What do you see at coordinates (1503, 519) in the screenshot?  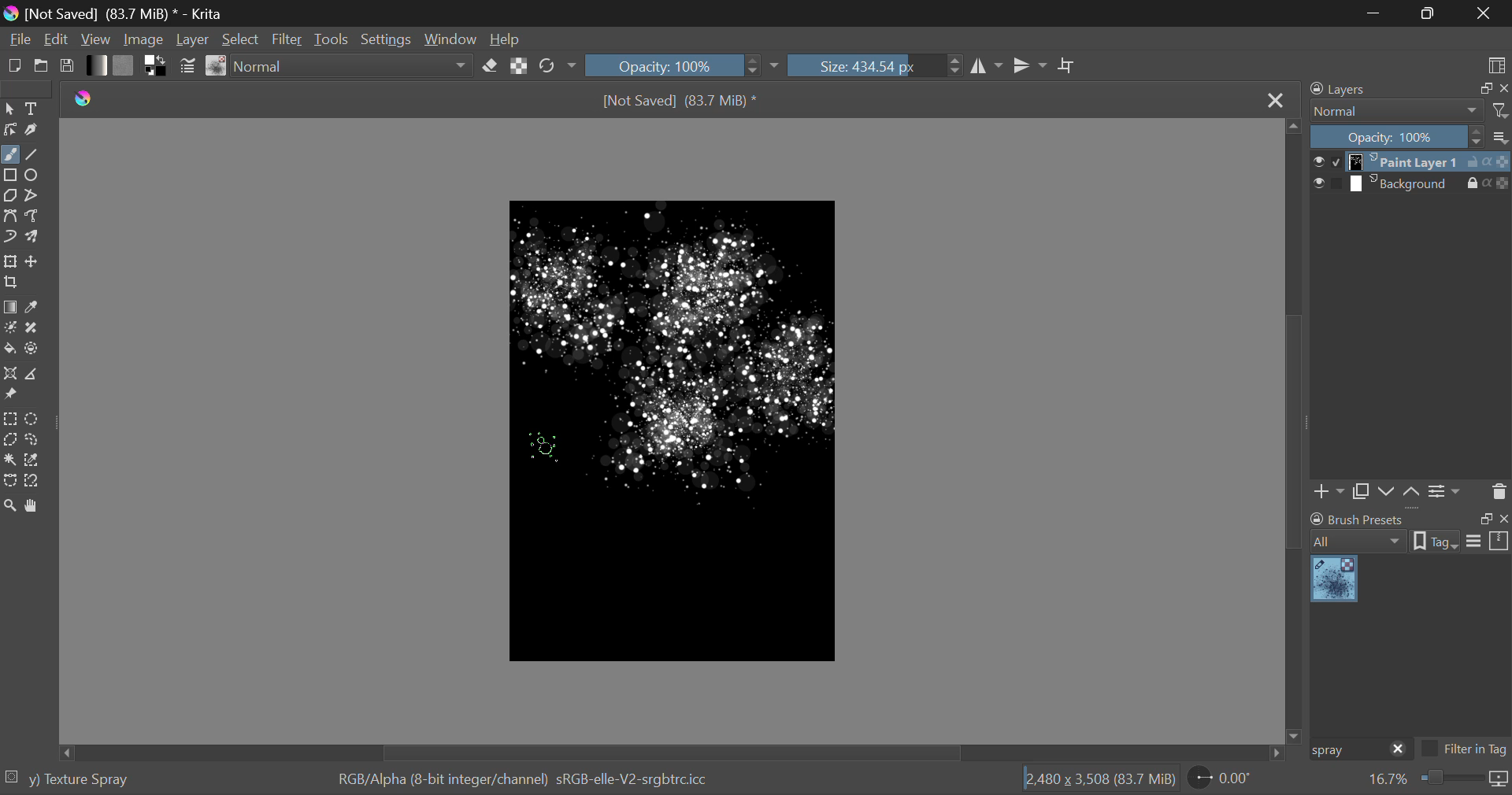 I see `close` at bounding box center [1503, 519].